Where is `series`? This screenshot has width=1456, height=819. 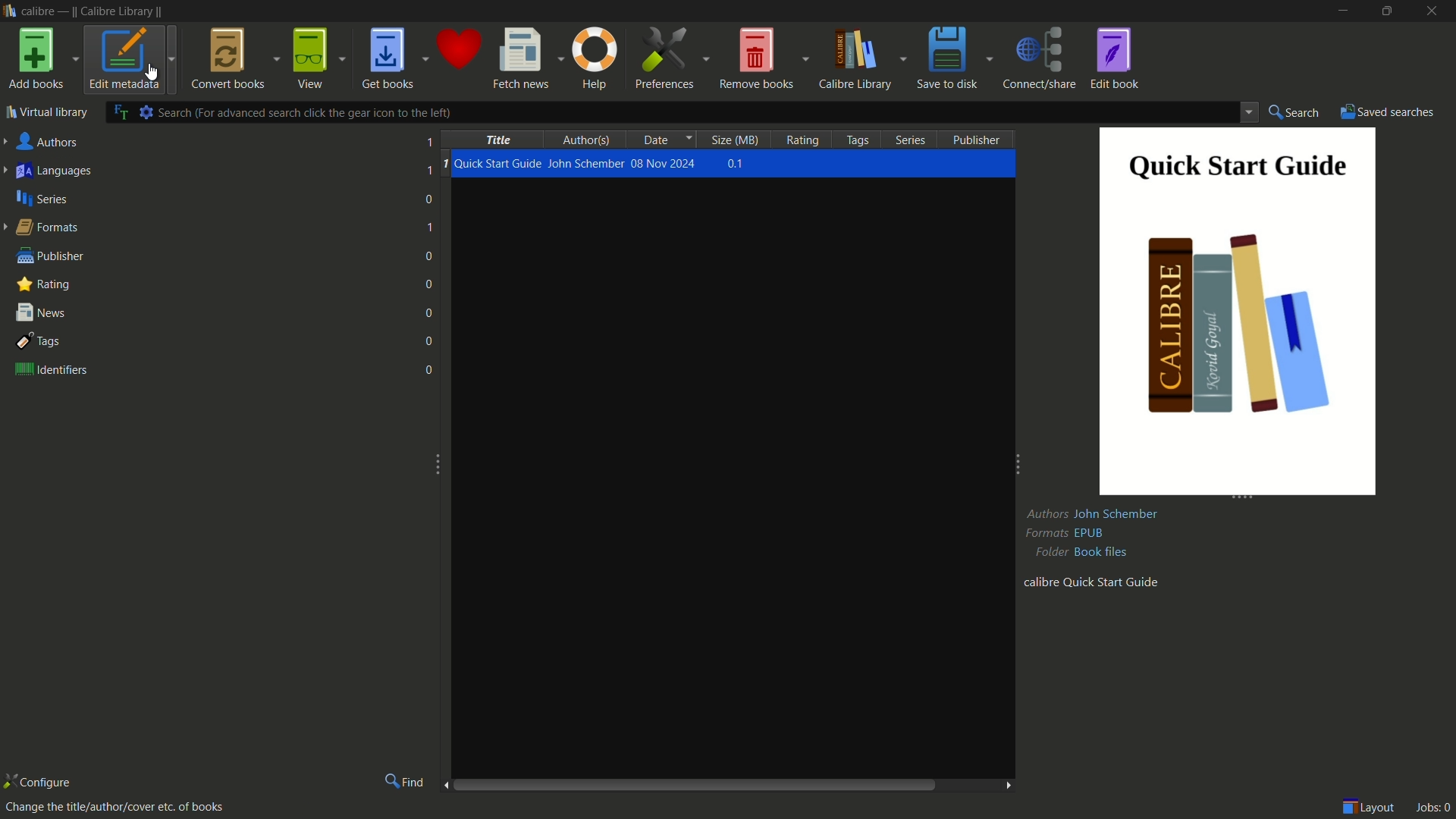 series is located at coordinates (910, 140).